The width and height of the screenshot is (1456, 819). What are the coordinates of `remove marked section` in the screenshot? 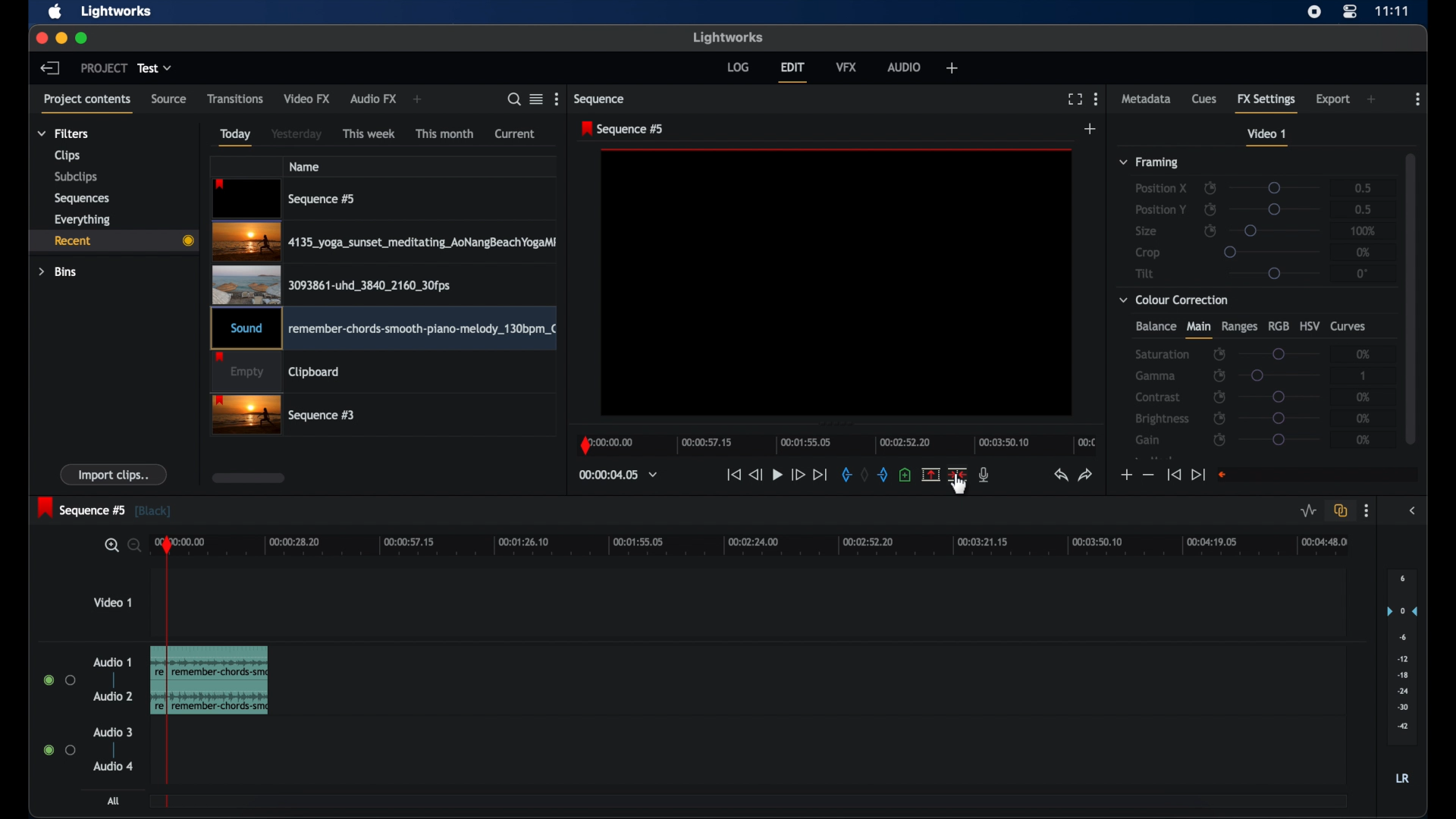 It's located at (931, 473).